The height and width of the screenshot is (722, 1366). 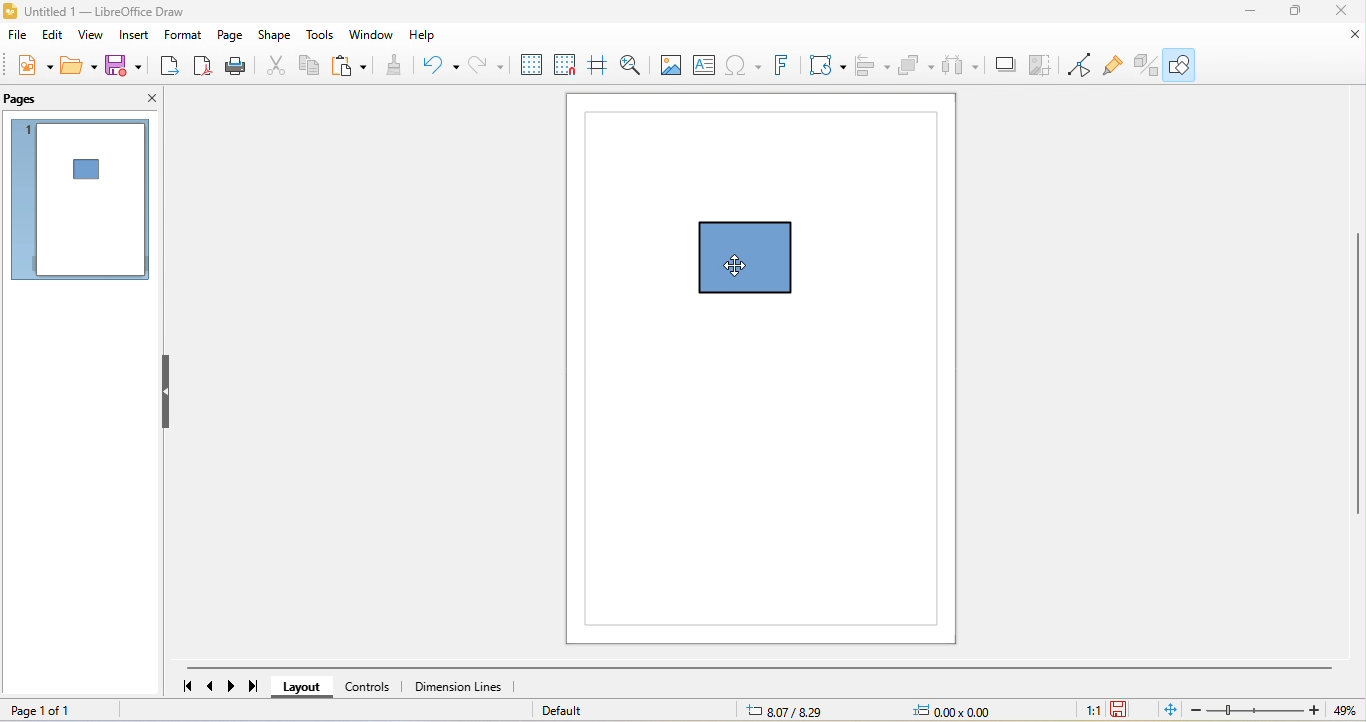 I want to click on helpline while moving, so click(x=596, y=66).